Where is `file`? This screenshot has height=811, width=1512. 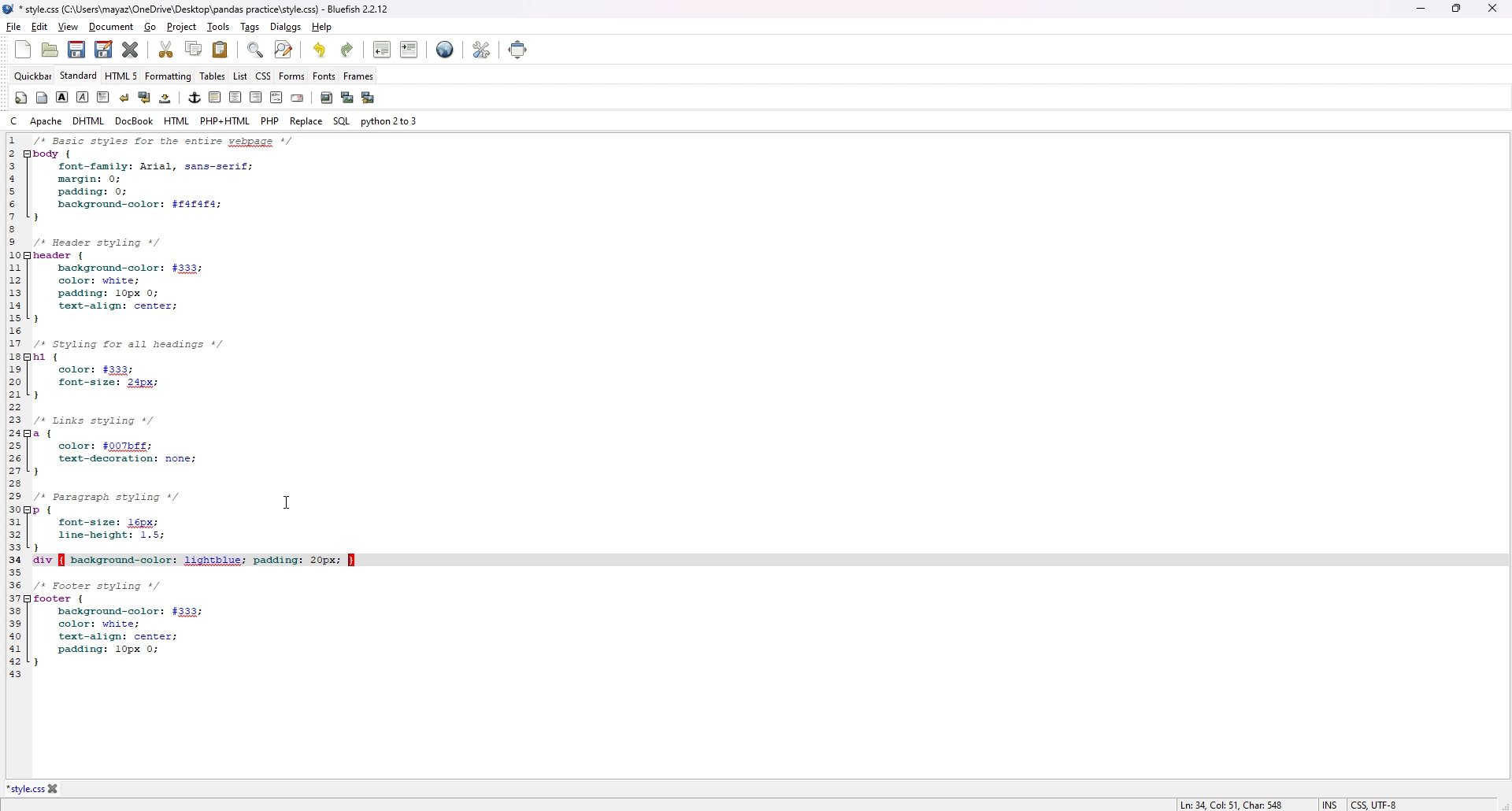
file is located at coordinates (13, 27).